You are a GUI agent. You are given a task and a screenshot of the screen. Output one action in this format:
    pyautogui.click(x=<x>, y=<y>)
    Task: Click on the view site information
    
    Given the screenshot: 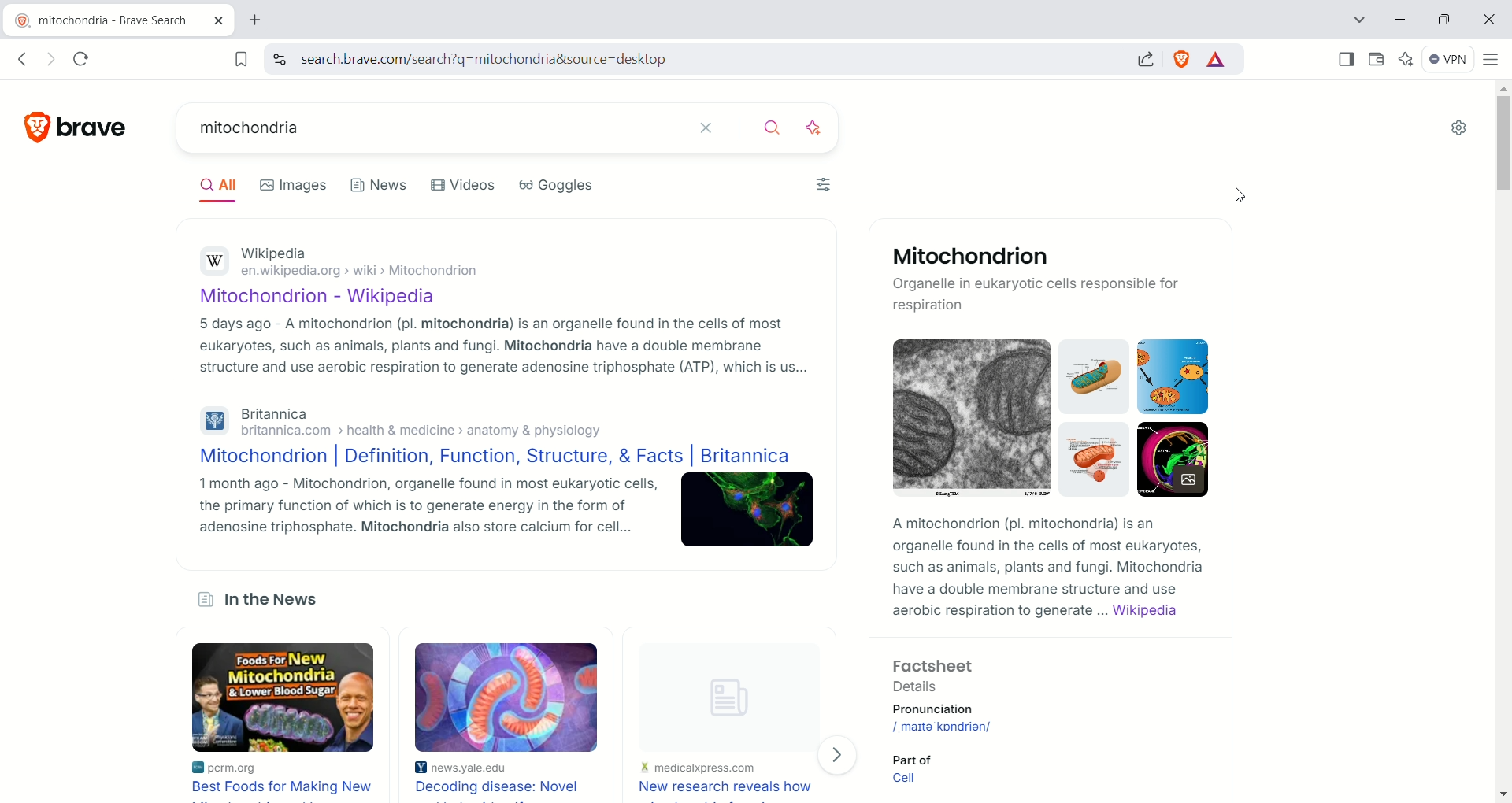 What is the action you would take?
    pyautogui.click(x=280, y=58)
    